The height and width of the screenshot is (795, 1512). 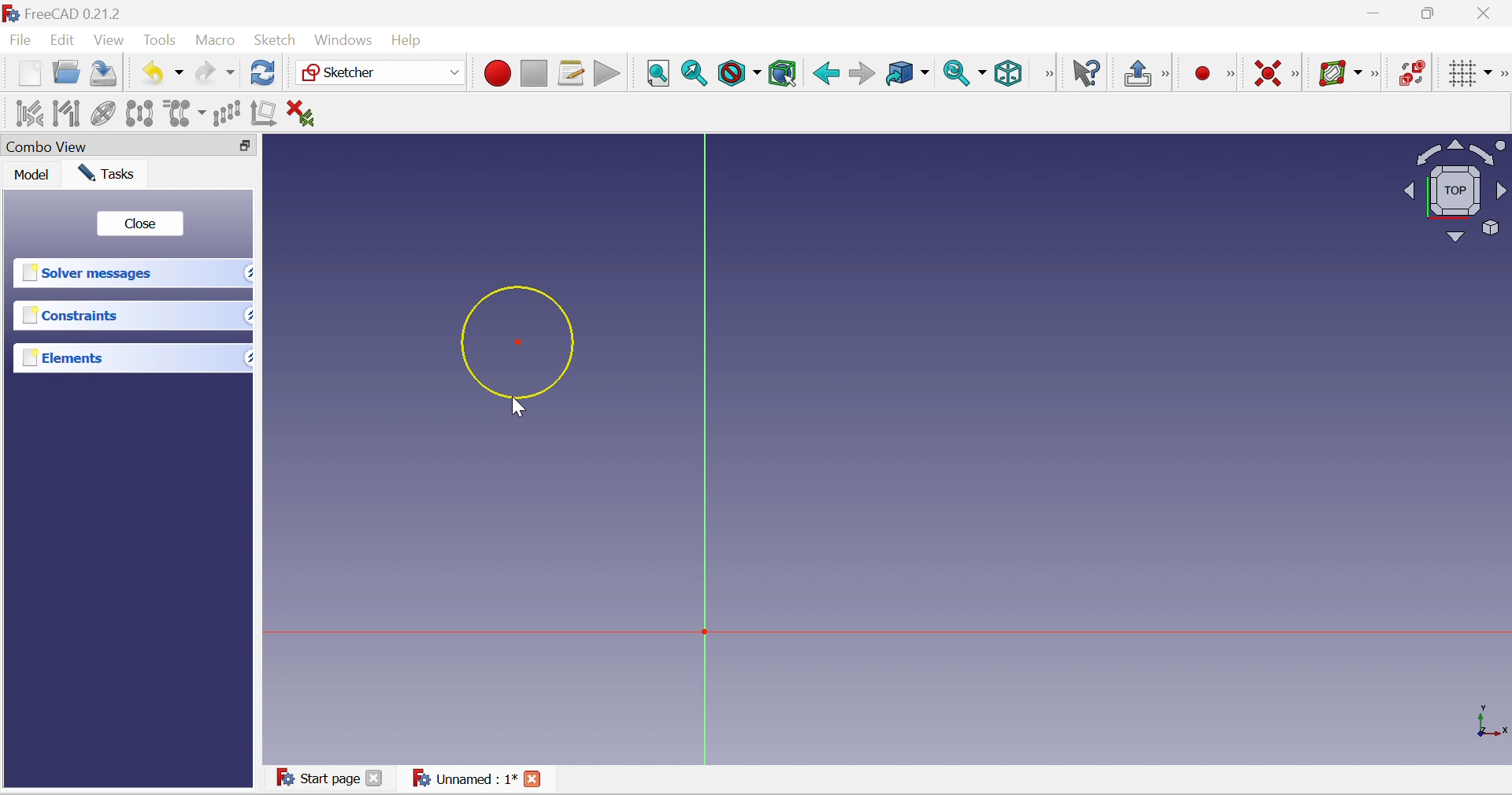 I want to click on Sketch, so click(x=275, y=42).